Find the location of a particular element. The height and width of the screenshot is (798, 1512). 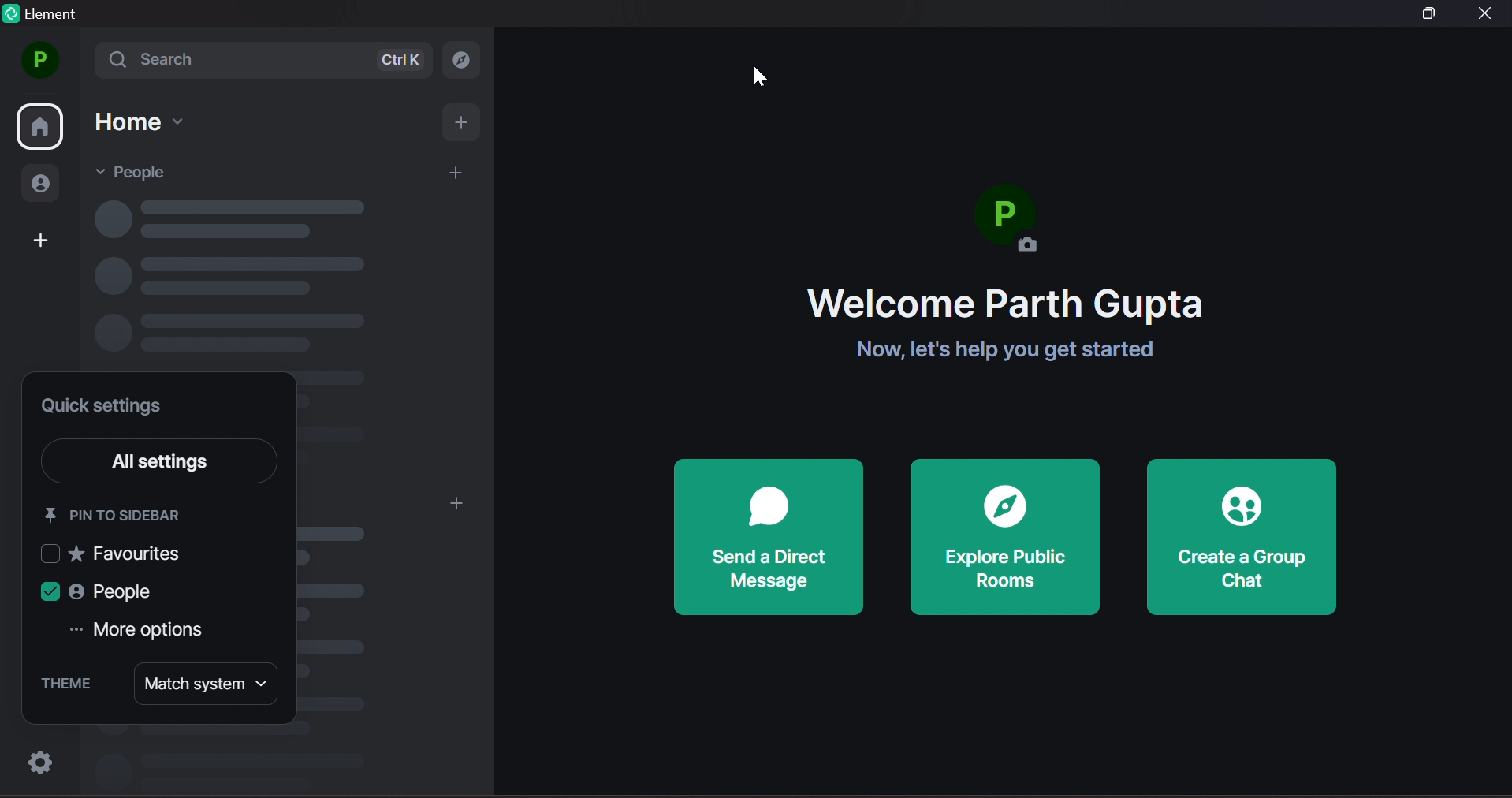

search is located at coordinates (268, 59).